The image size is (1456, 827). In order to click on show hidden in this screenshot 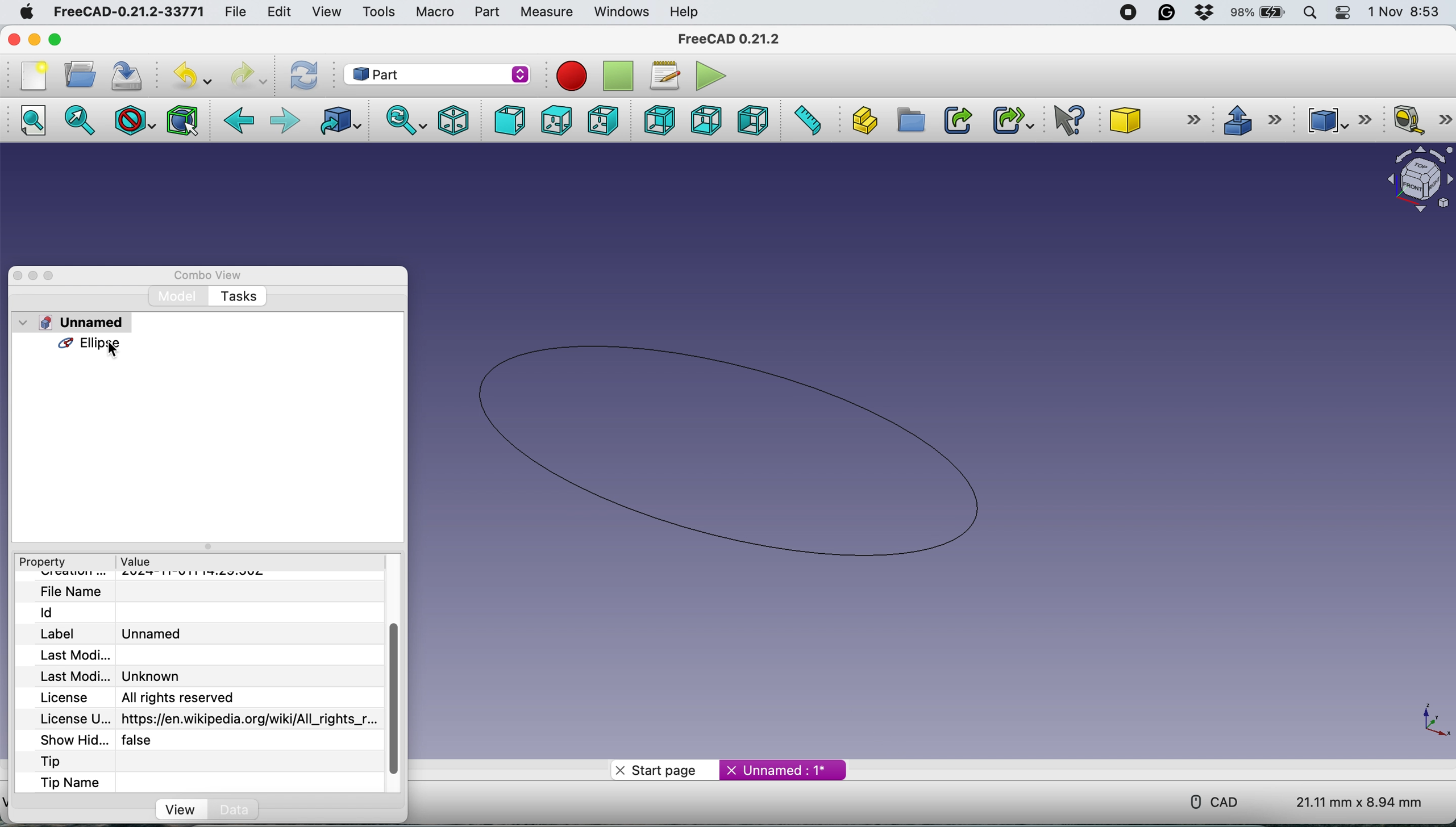, I will do `click(101, 738)`.